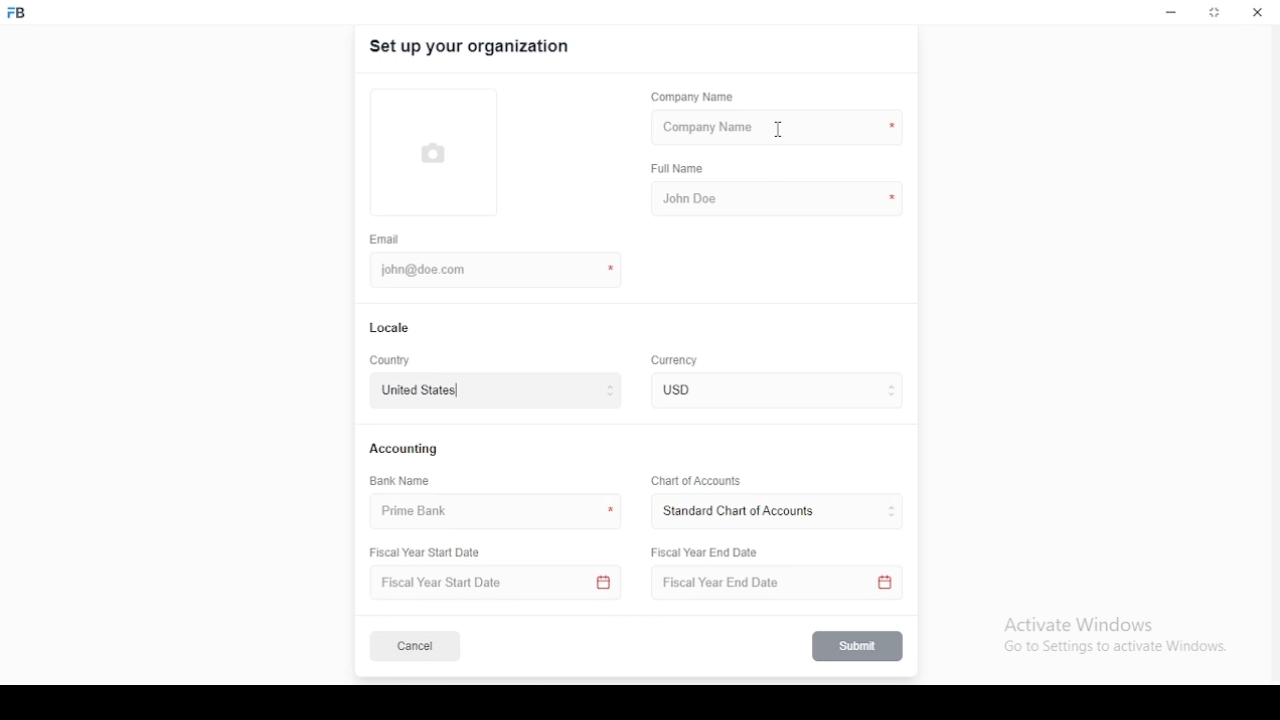 This screenshot has height=720, width=1280. Describe the element at coordinates (432, 553) in the screenshot. I see `Fiscal Year Start Date` at that location.